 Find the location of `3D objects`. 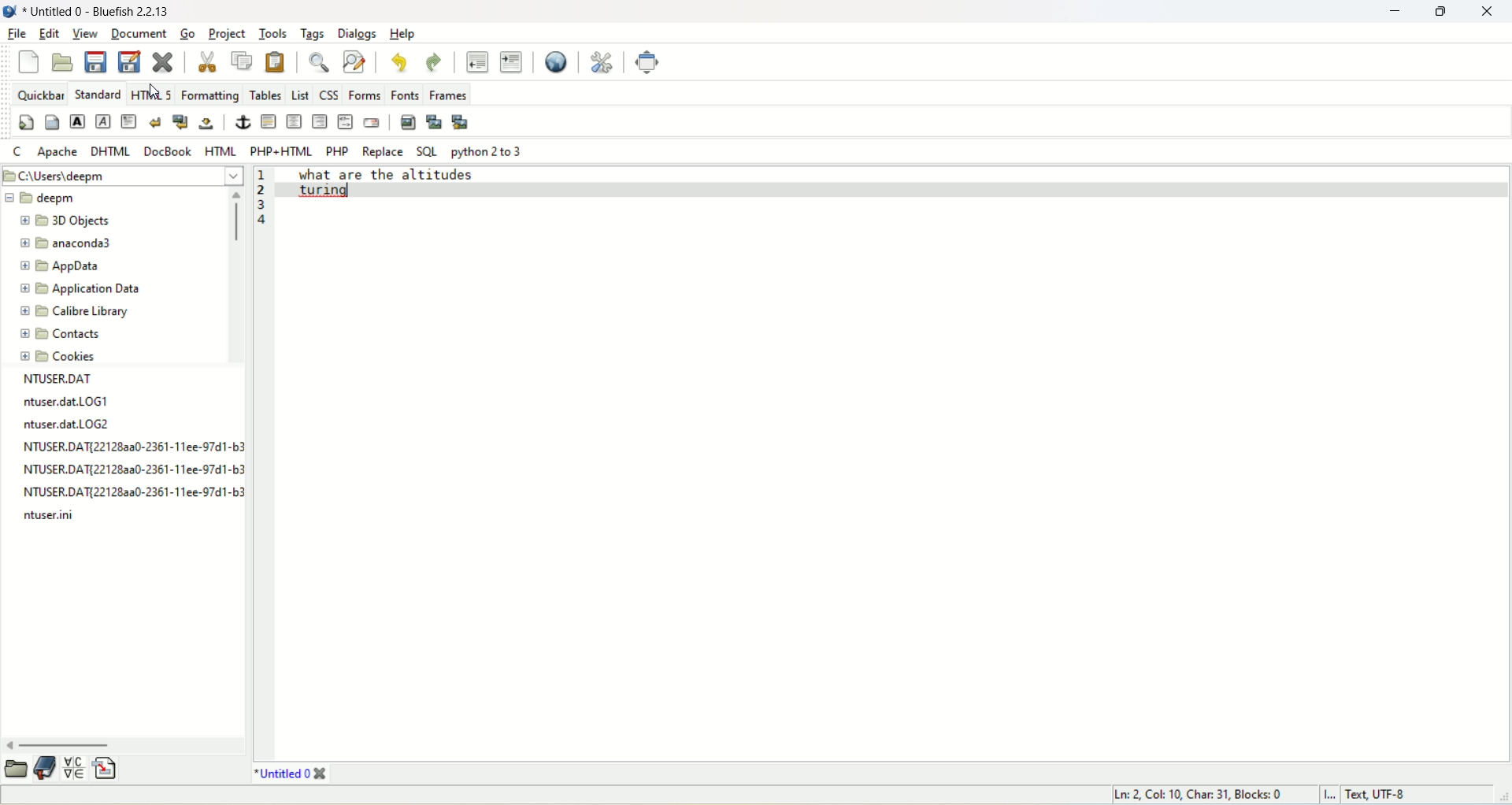

3D objects is located at coordinates (70, 222).